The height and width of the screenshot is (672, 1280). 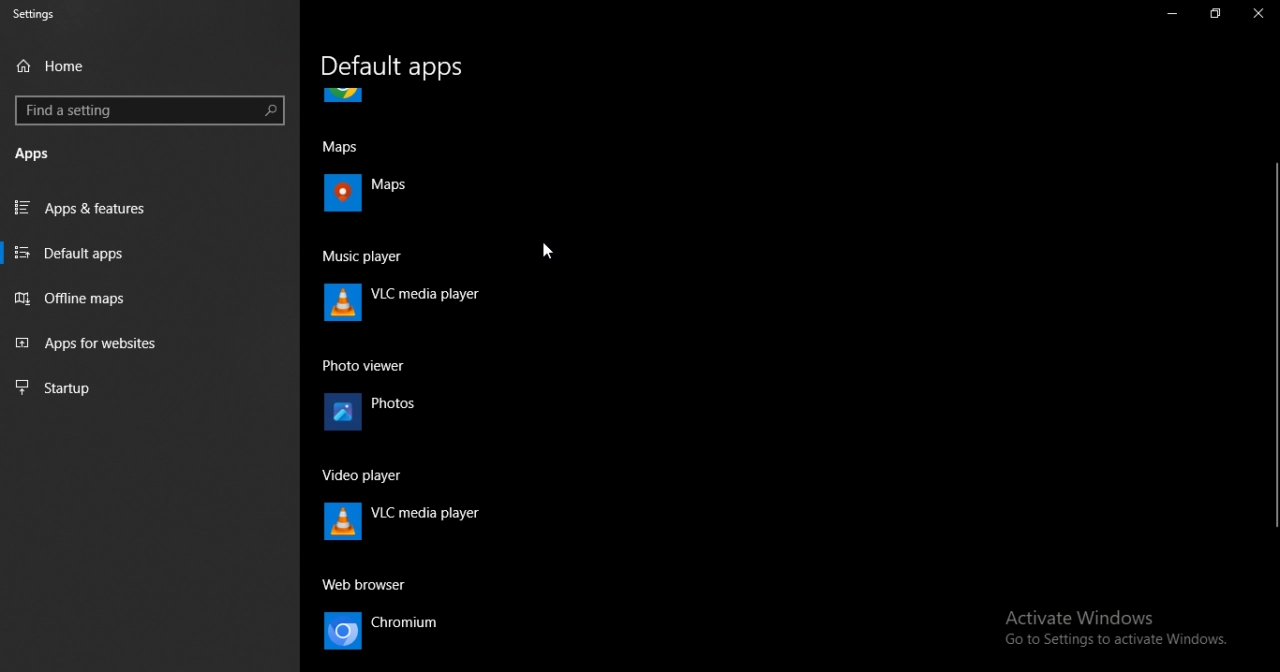 I want to click on vertical scrollbar, so click(x=1272, y=342).